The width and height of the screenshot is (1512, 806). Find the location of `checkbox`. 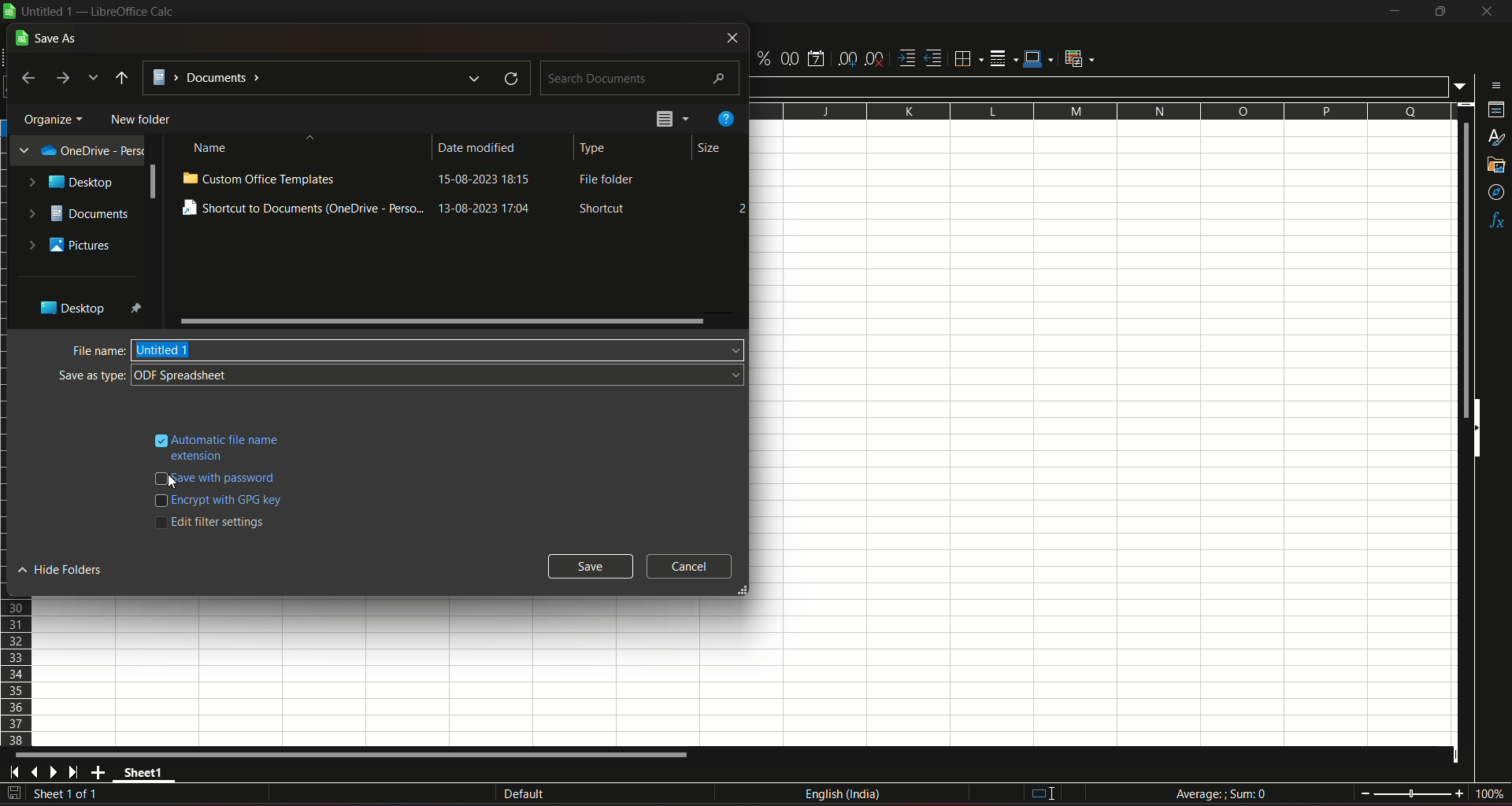

checkbox is located at coordinates (161, 478).